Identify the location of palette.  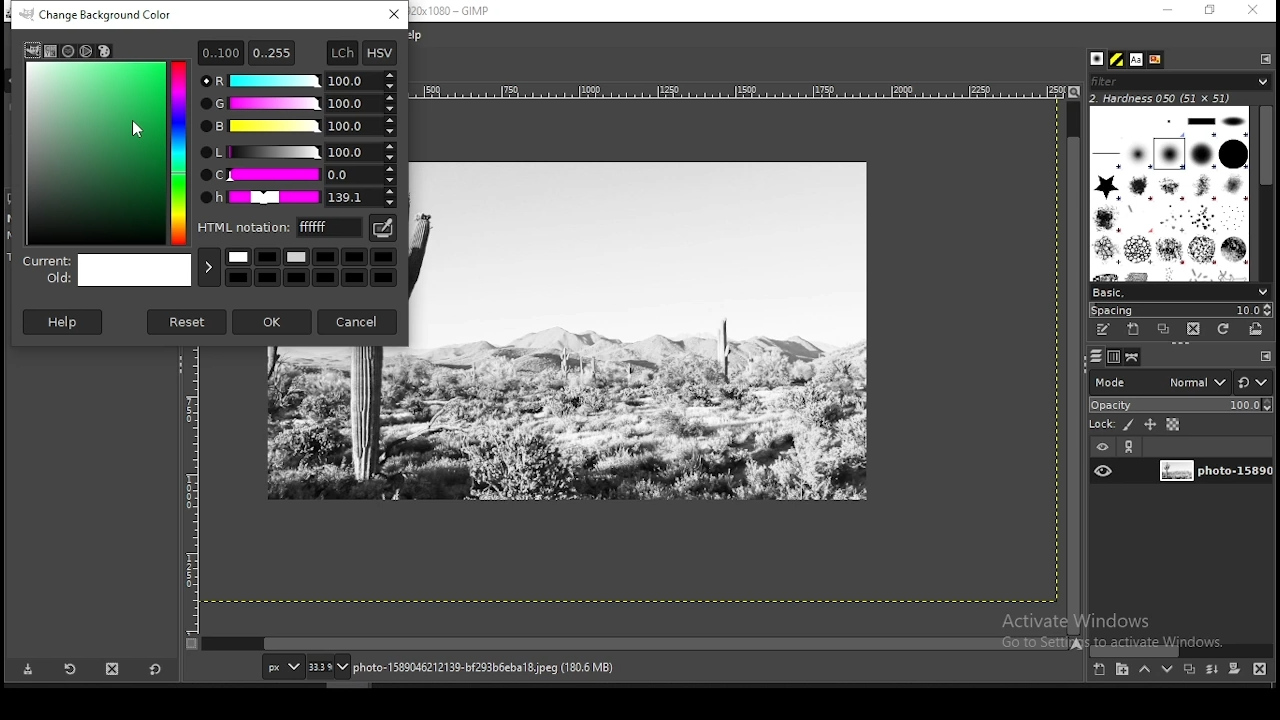
(104, 51).